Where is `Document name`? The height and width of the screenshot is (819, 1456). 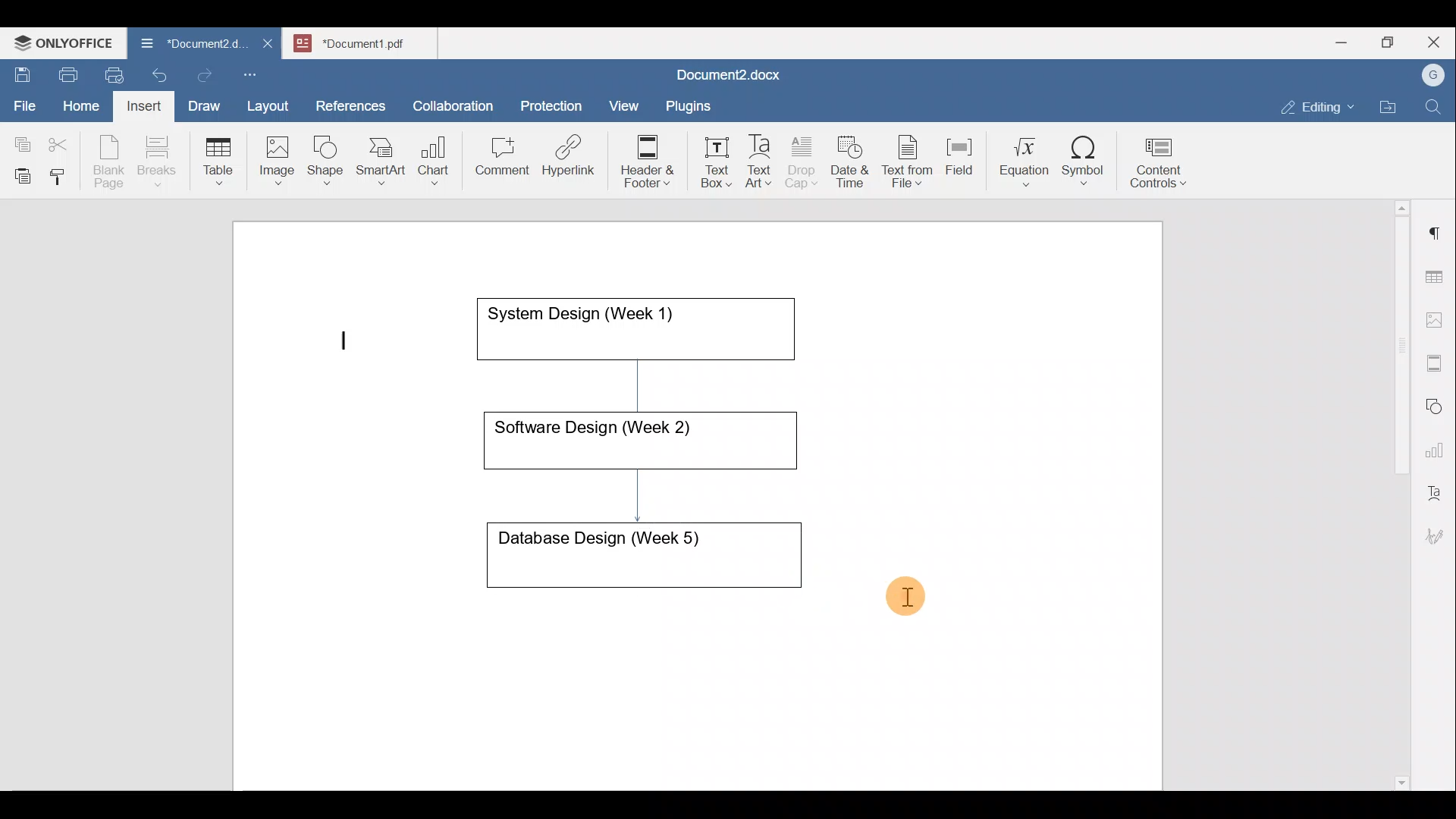 Document name is located at coordinates (369, 41).